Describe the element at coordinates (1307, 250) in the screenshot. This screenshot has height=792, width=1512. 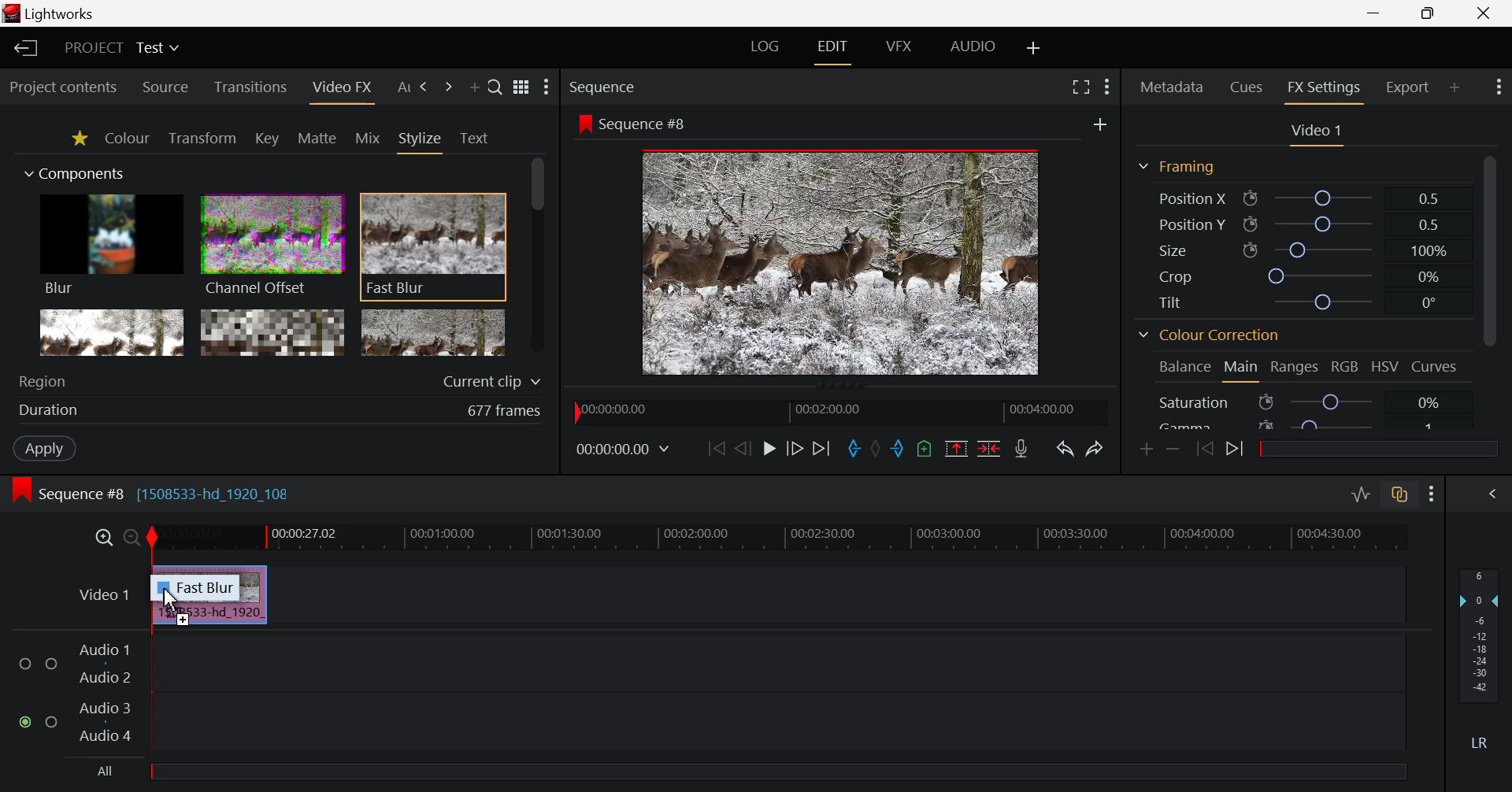
I see `Size` at that location.